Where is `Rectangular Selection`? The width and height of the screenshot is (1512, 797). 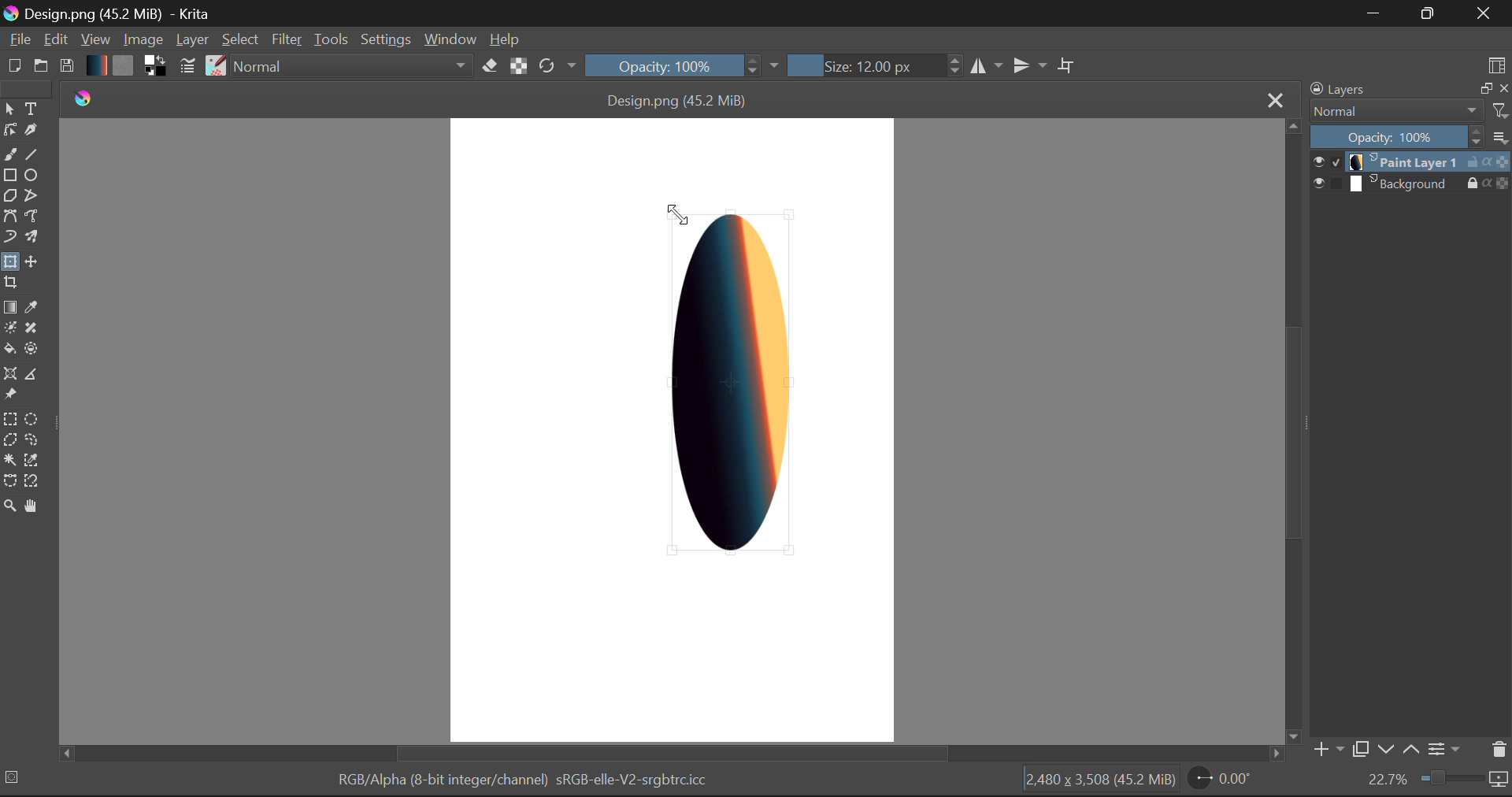 Rectangular Selection is located at coordinates (9, 418).